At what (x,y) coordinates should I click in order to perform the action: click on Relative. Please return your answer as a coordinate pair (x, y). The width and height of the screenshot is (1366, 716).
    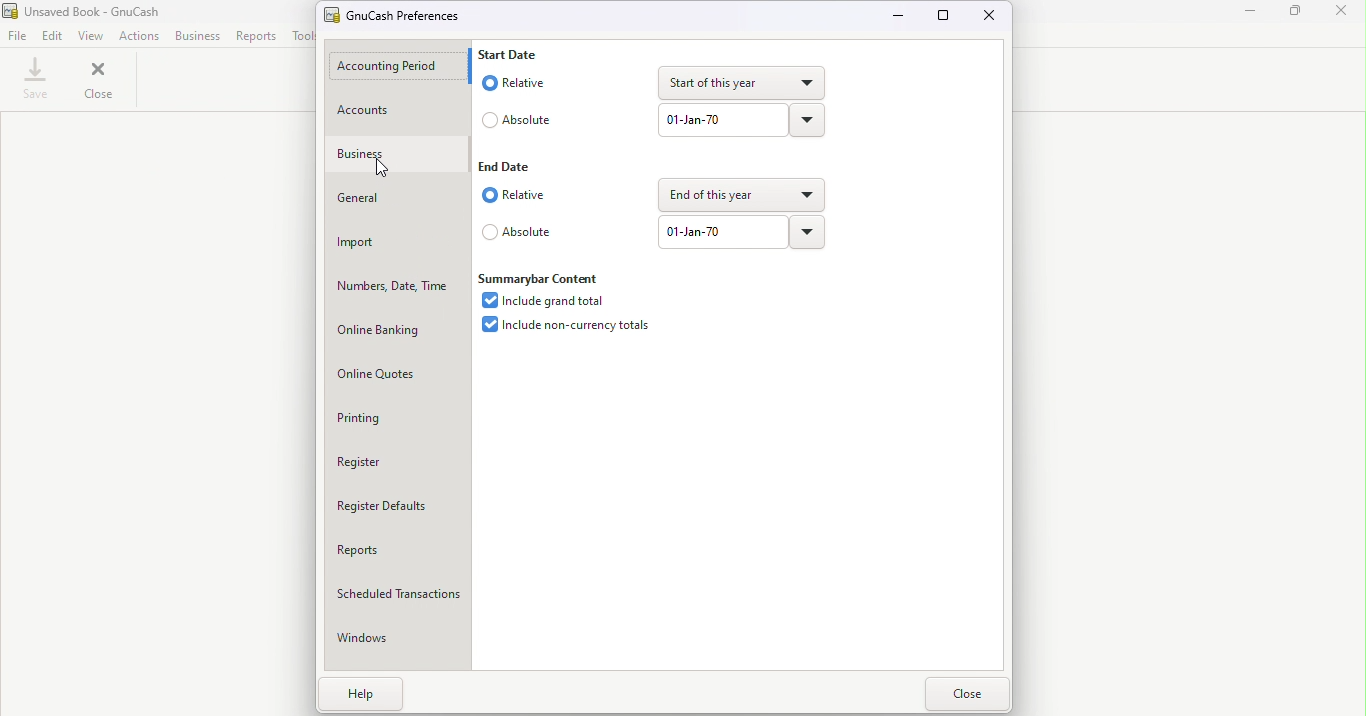
    Looking at the image, I should click on (520, 81).